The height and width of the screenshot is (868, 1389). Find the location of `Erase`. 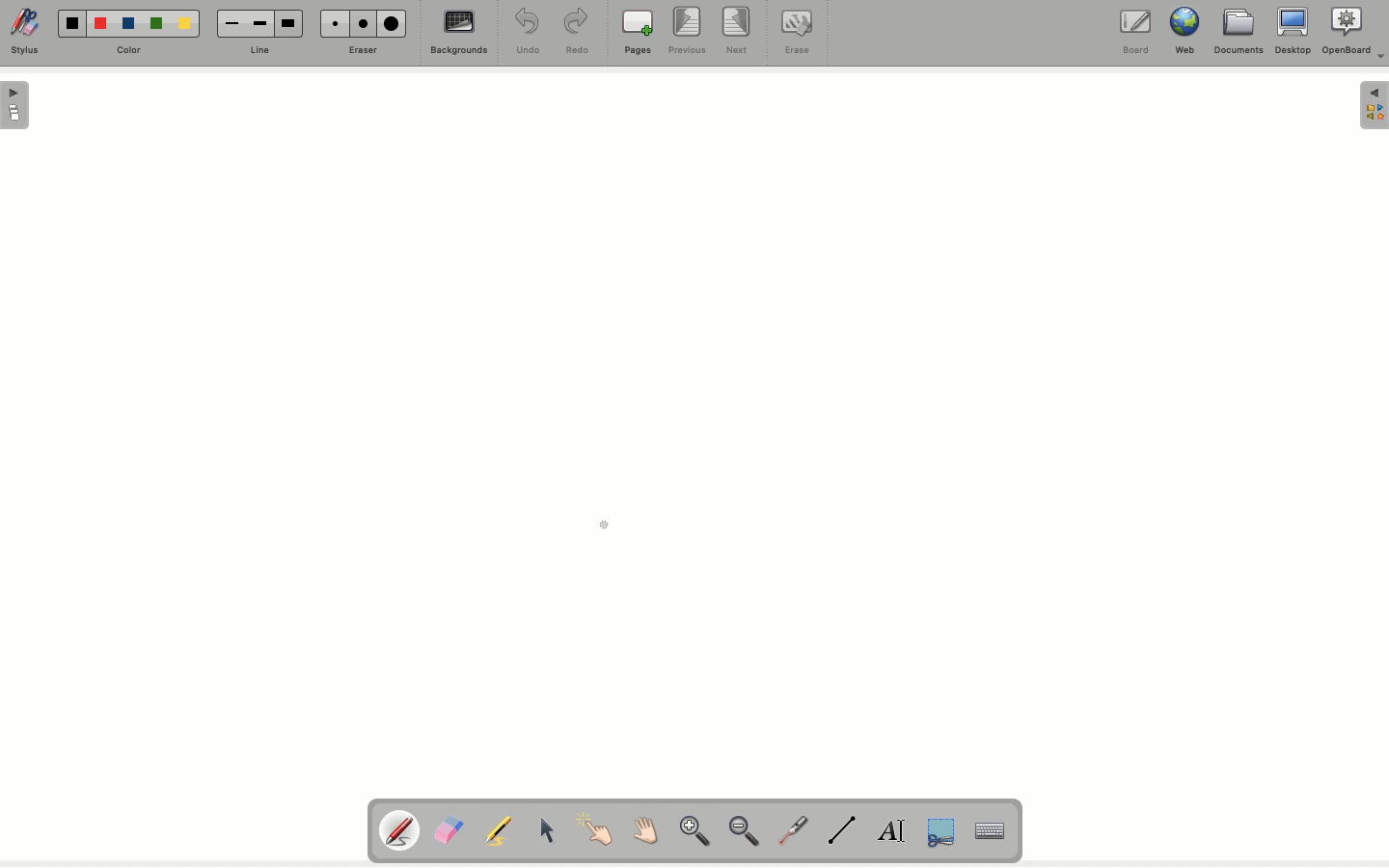

Erase is located at coordinates (797, 35).